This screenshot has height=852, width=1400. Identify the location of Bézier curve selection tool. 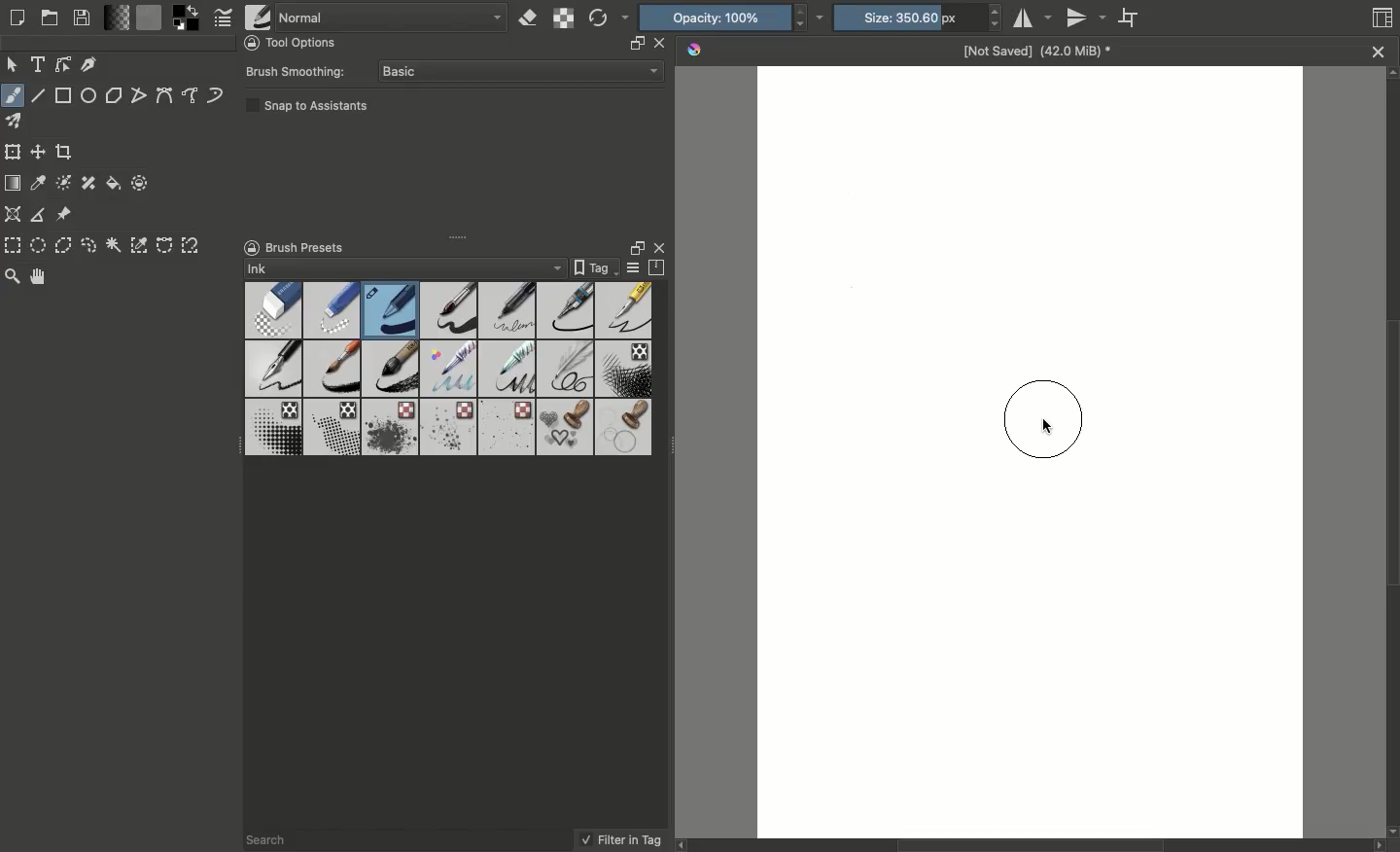
(164, 248).